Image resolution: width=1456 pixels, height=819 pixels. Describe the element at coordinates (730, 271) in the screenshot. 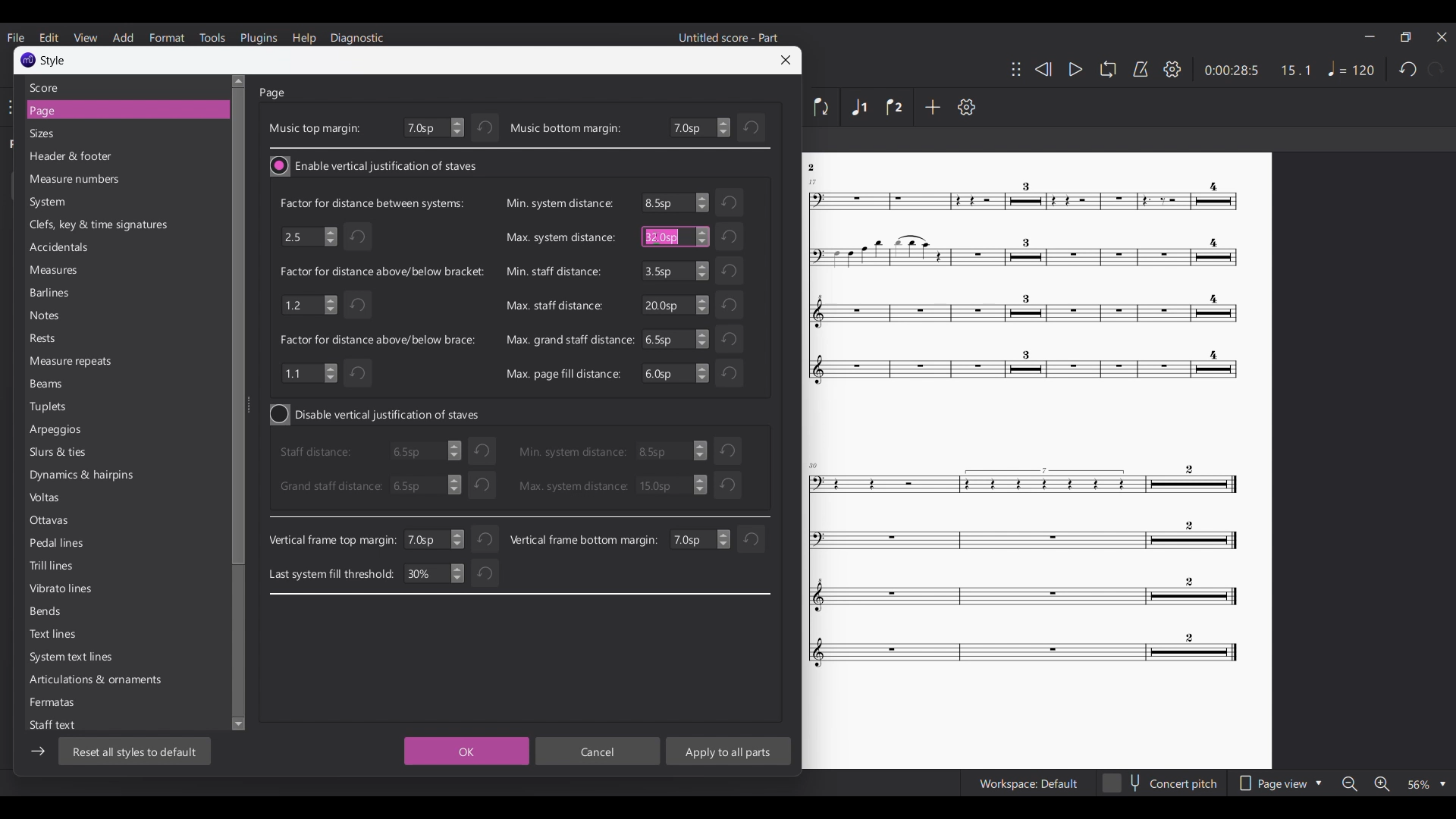

I see `Undo` at that location.